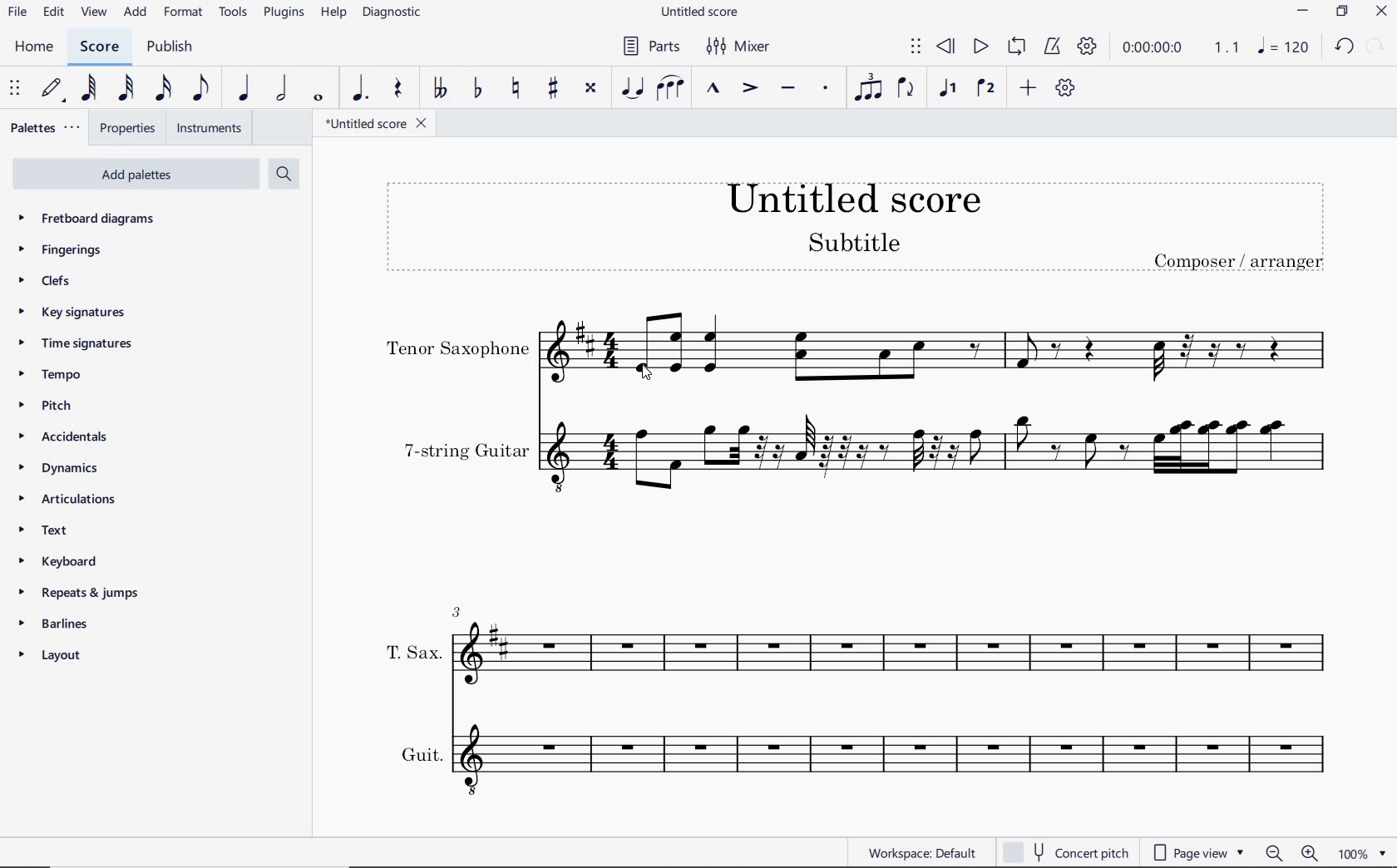 Image resolution: width=1397 pixels, height=868 pixels. I want to click on cursor, so click(645, 374).